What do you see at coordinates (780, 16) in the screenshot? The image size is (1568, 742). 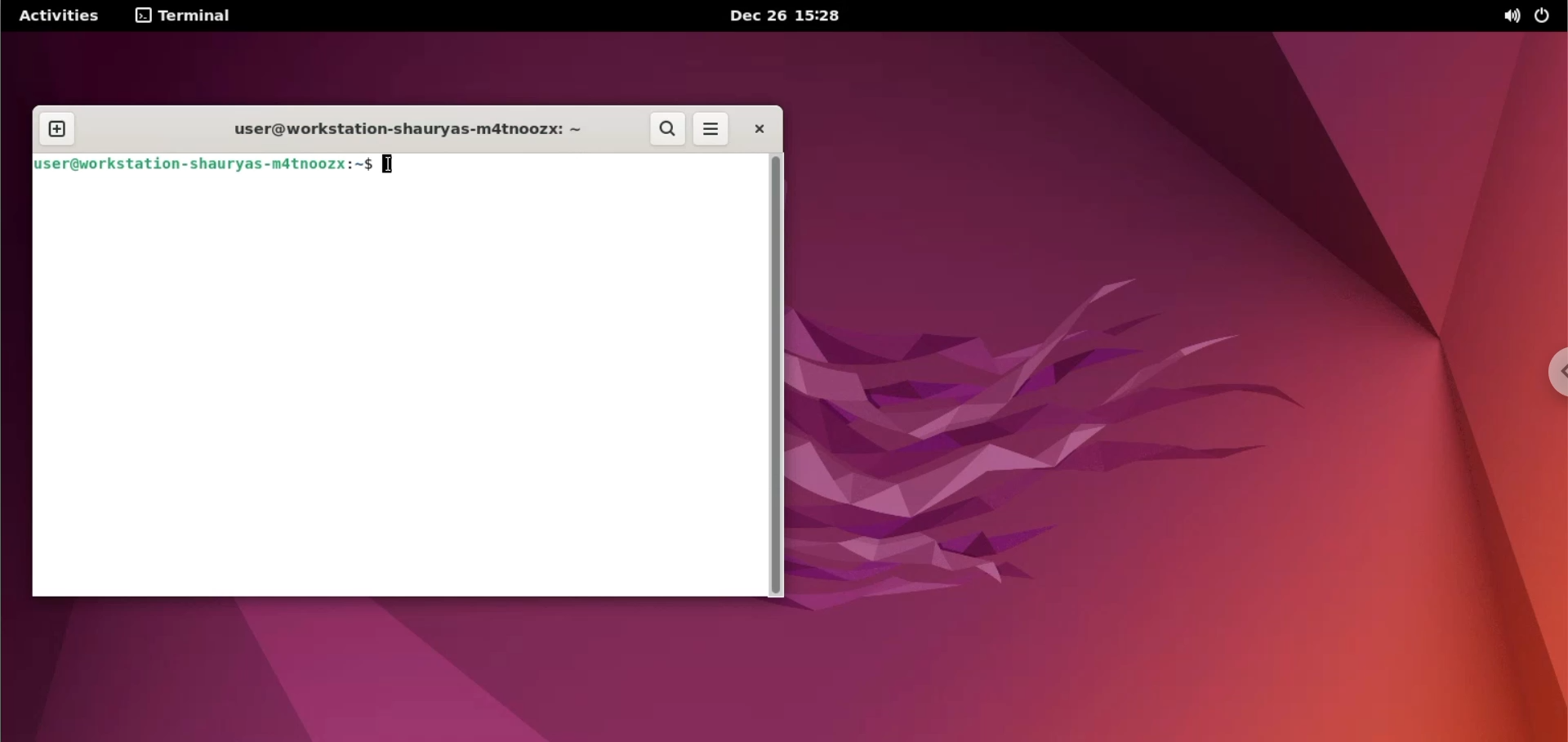 I see `Dec 26 15:28` at bounding box center [780, 16].